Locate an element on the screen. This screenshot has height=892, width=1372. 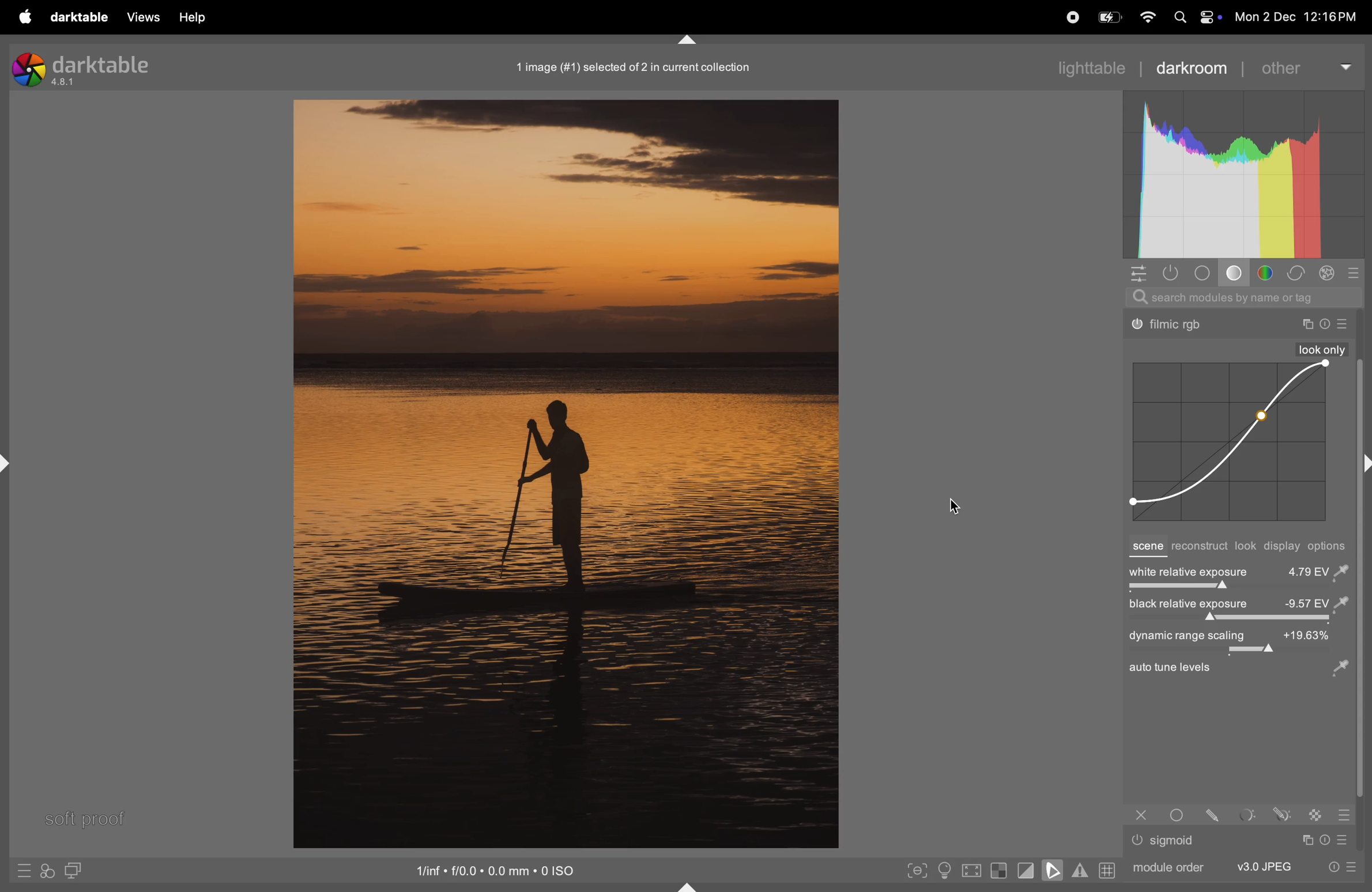
 is located at coordinates (1249, 681).